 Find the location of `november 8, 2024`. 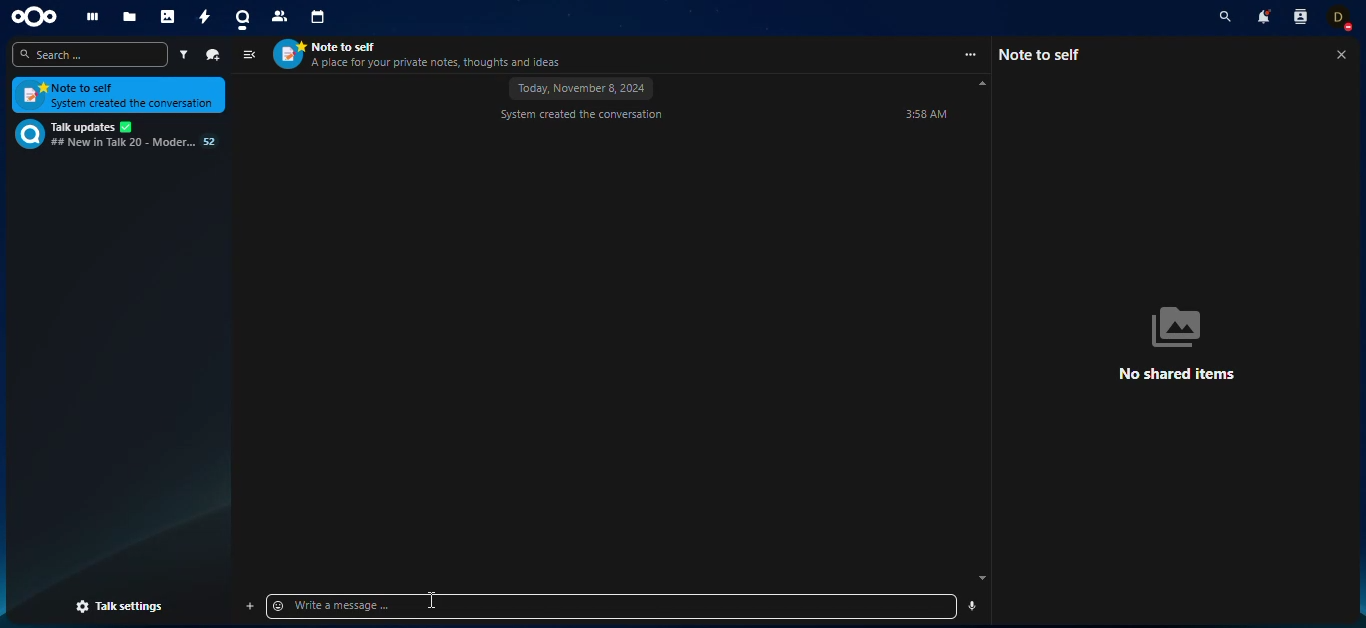

november 8, 2024 is located at coordinates (586, 89).